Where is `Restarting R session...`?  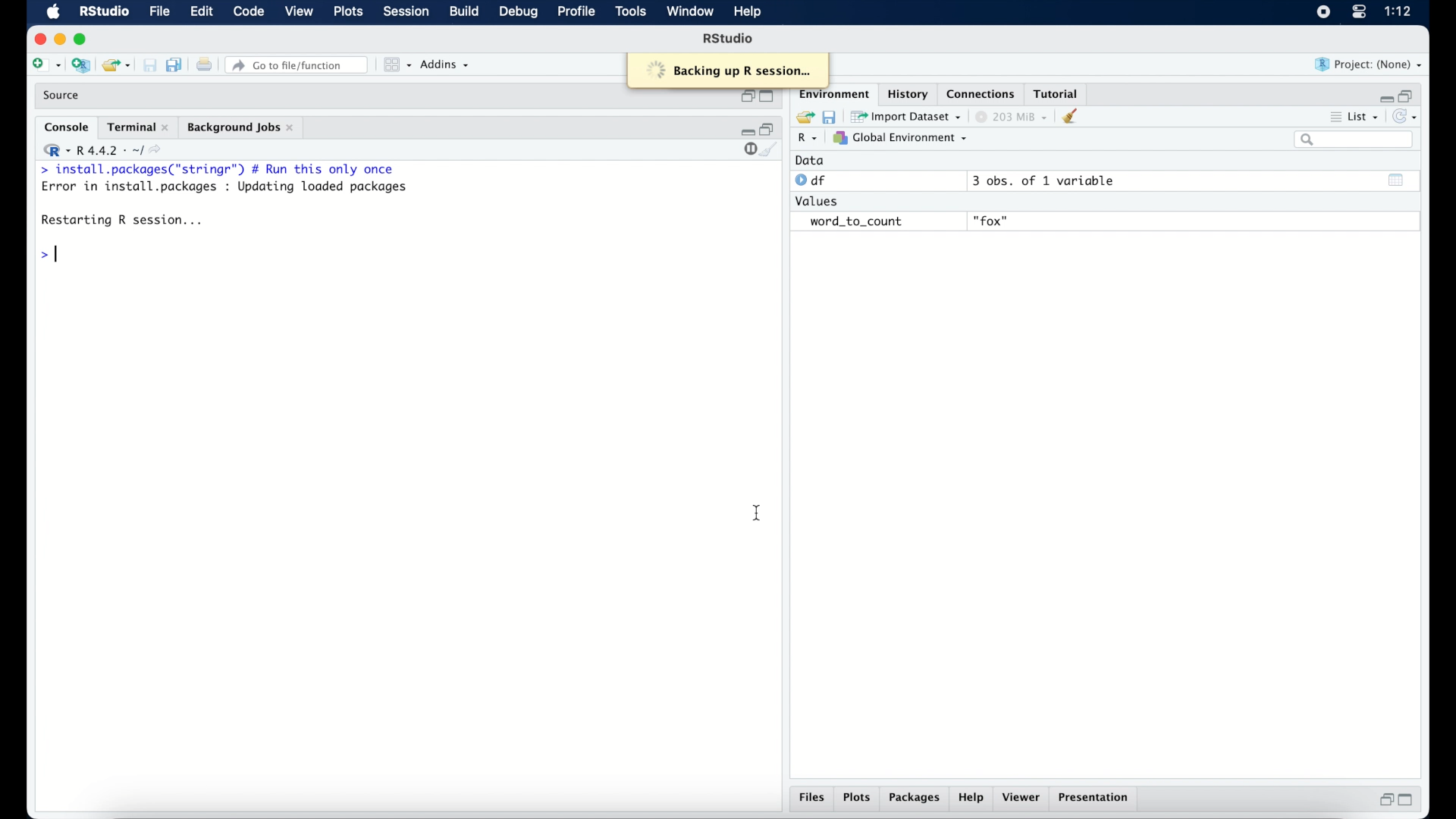
Restarting R session... is located at coordinates (126, 221).